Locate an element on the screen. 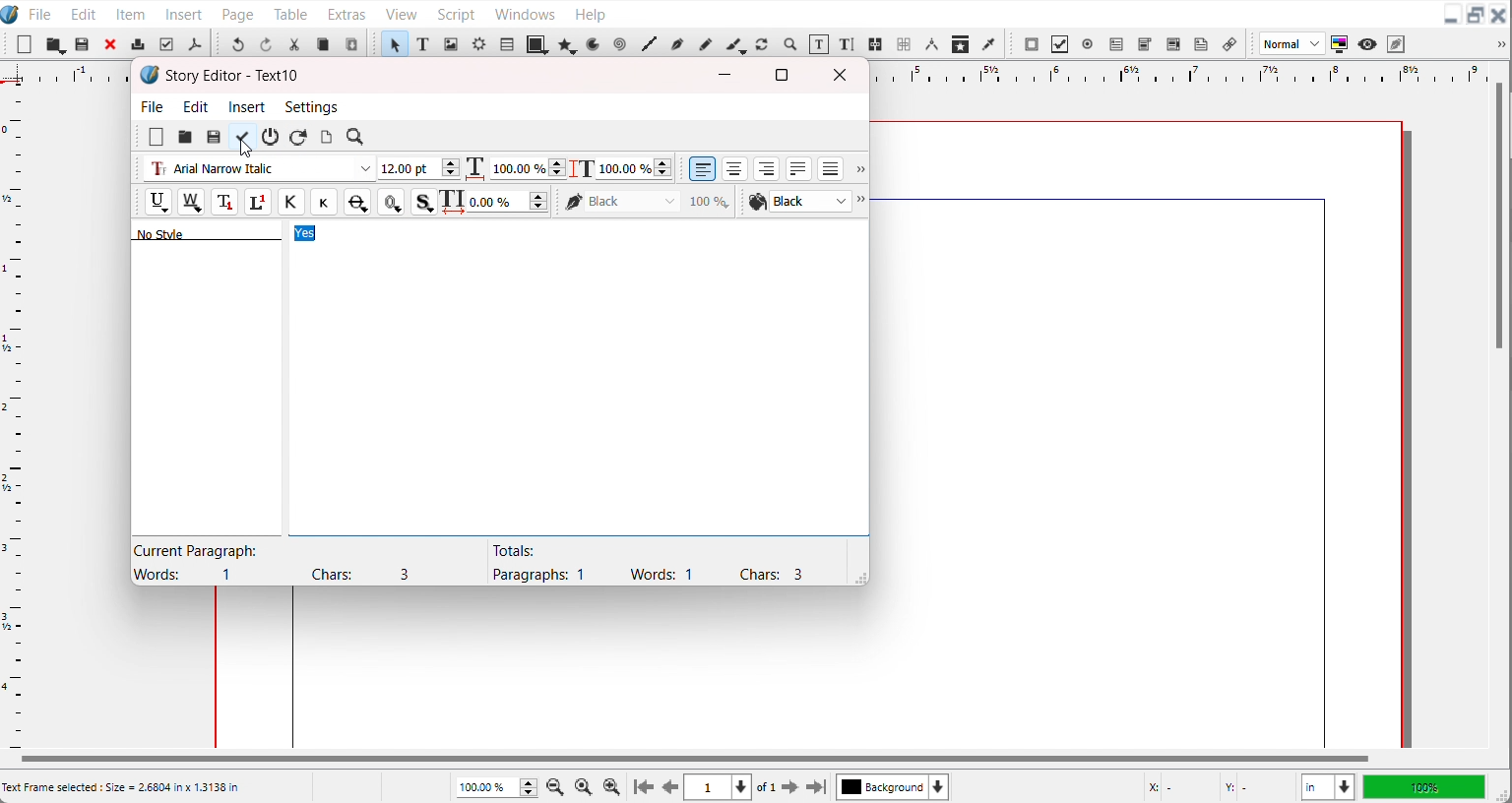  Image preview quality is located at coordinates (1292, 43).